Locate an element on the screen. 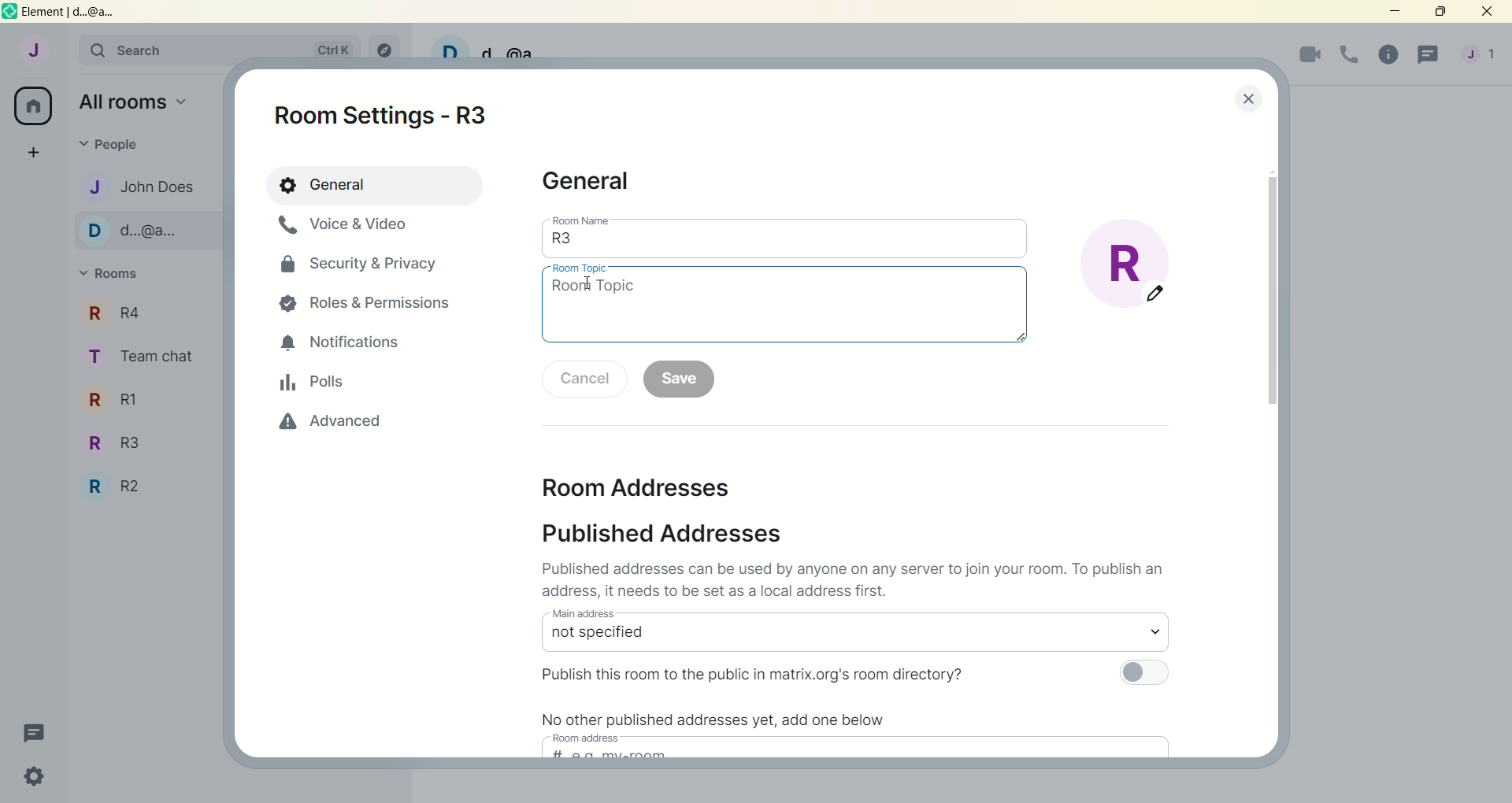 This screenshot has height=803, width=1512. search is located at coordinates (148, 52).